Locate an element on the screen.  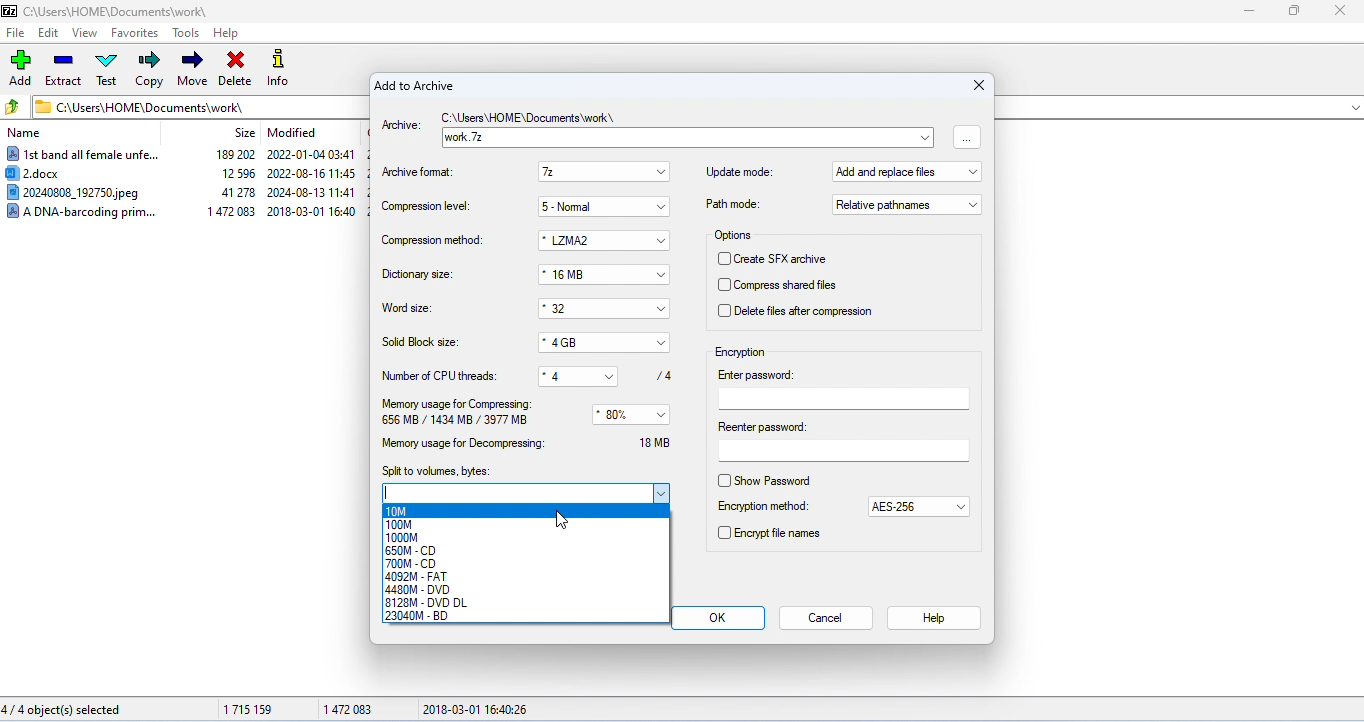
 is located at coordinates (663, 276).